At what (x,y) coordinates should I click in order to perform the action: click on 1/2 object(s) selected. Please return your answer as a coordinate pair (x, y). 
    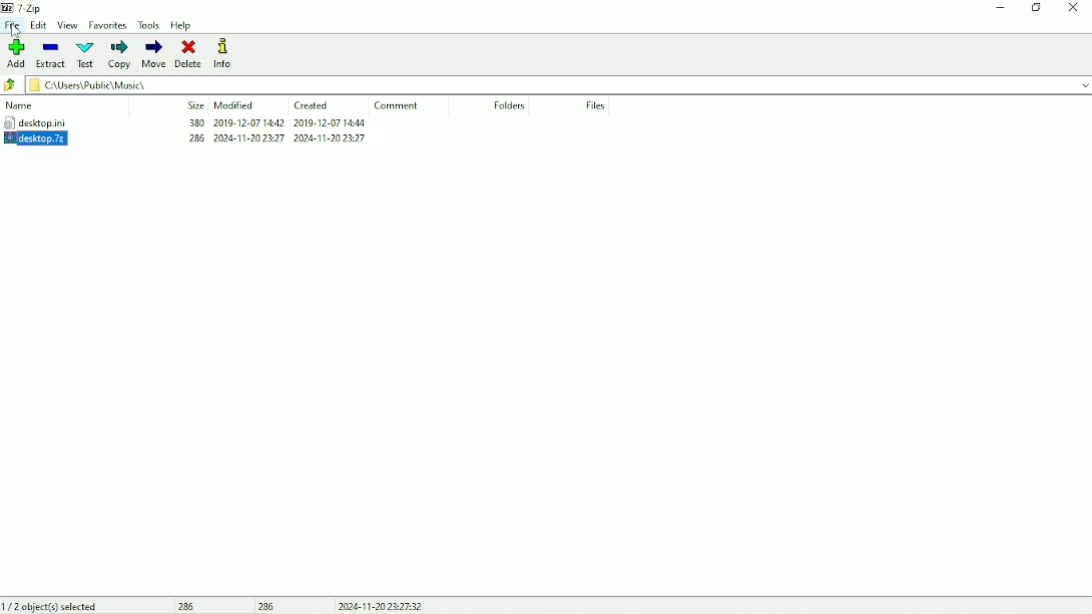
    Looking at the image, I should click on (52, 605).